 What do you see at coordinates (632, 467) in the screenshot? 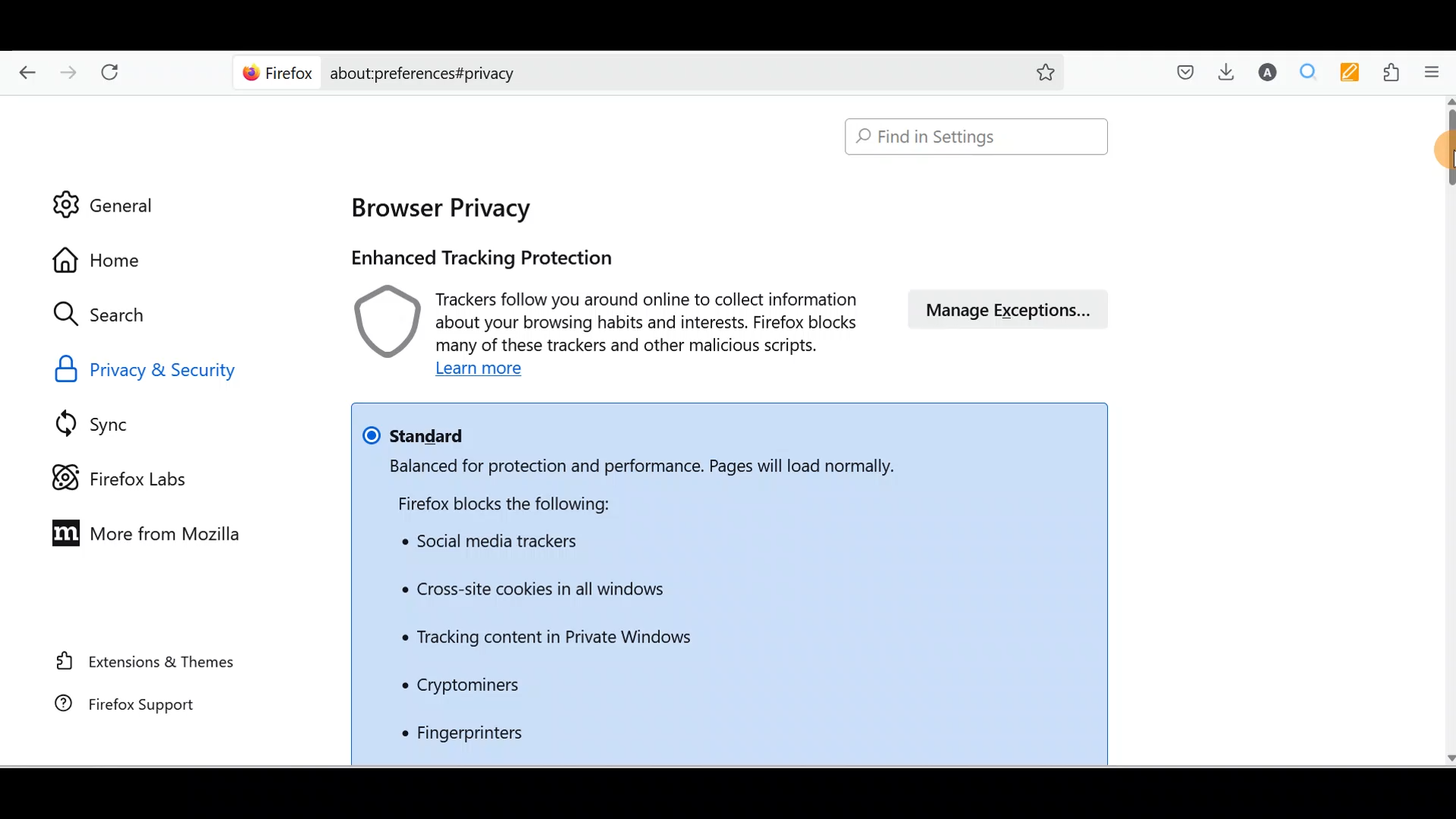
I see `Balanced for protection and performance. Pages will load normally.` at bounding box center [632, 467].